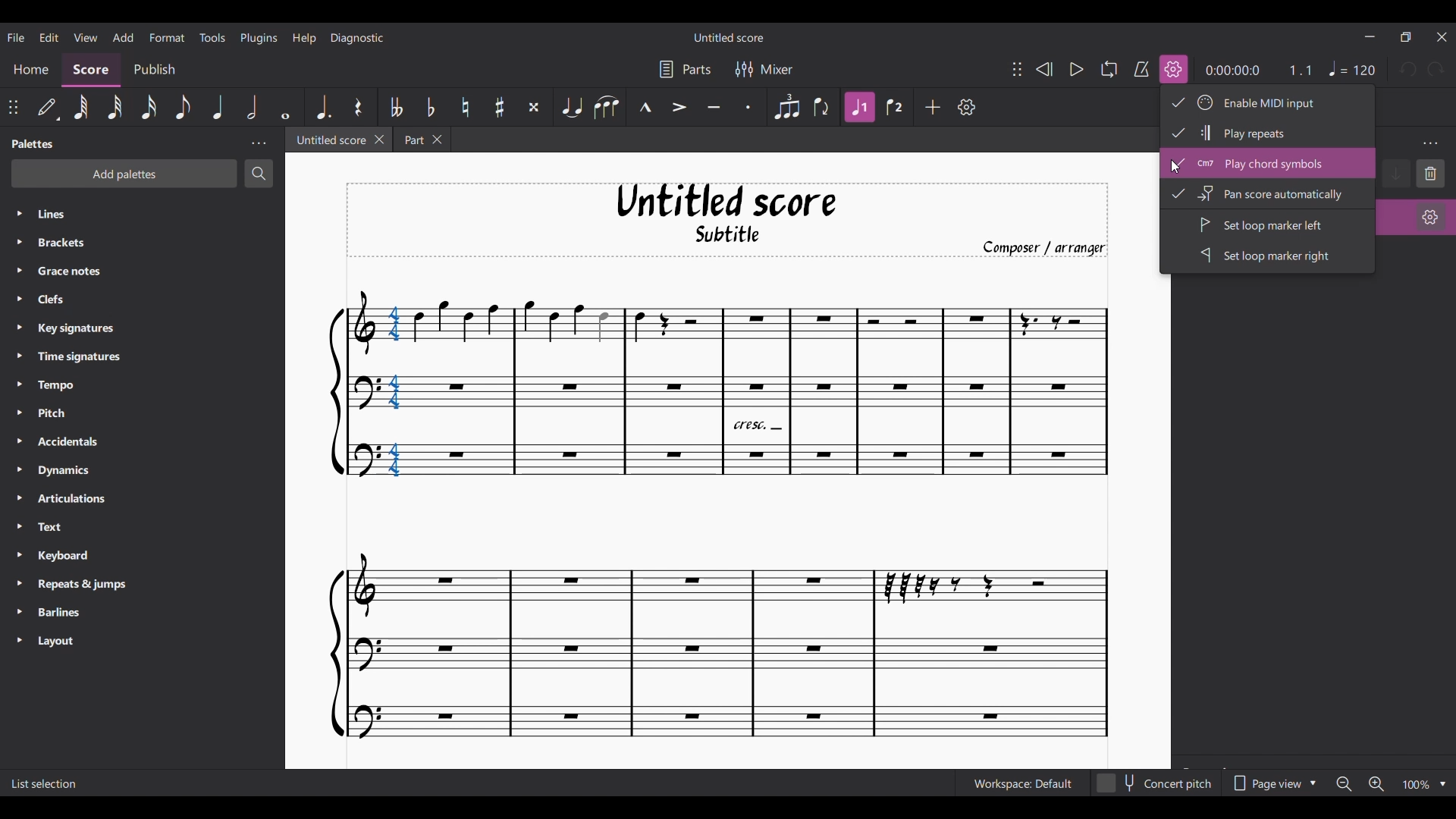  Describe the element at coordinates (1282, 193) in the screenshot. I see `Pan score automatically` at that location.